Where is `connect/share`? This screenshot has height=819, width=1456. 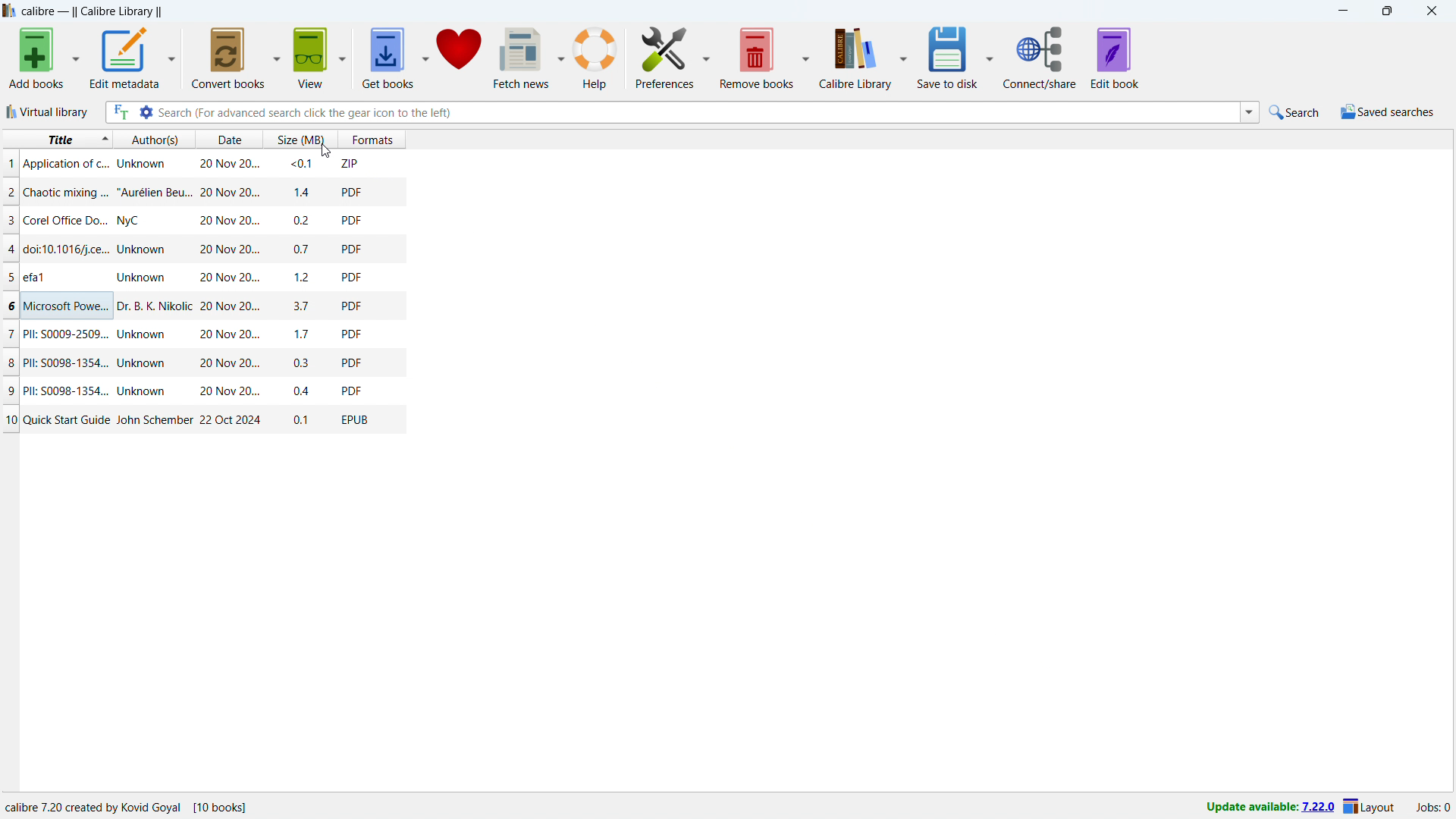
connect/share is located at coordinates (1040, 58).